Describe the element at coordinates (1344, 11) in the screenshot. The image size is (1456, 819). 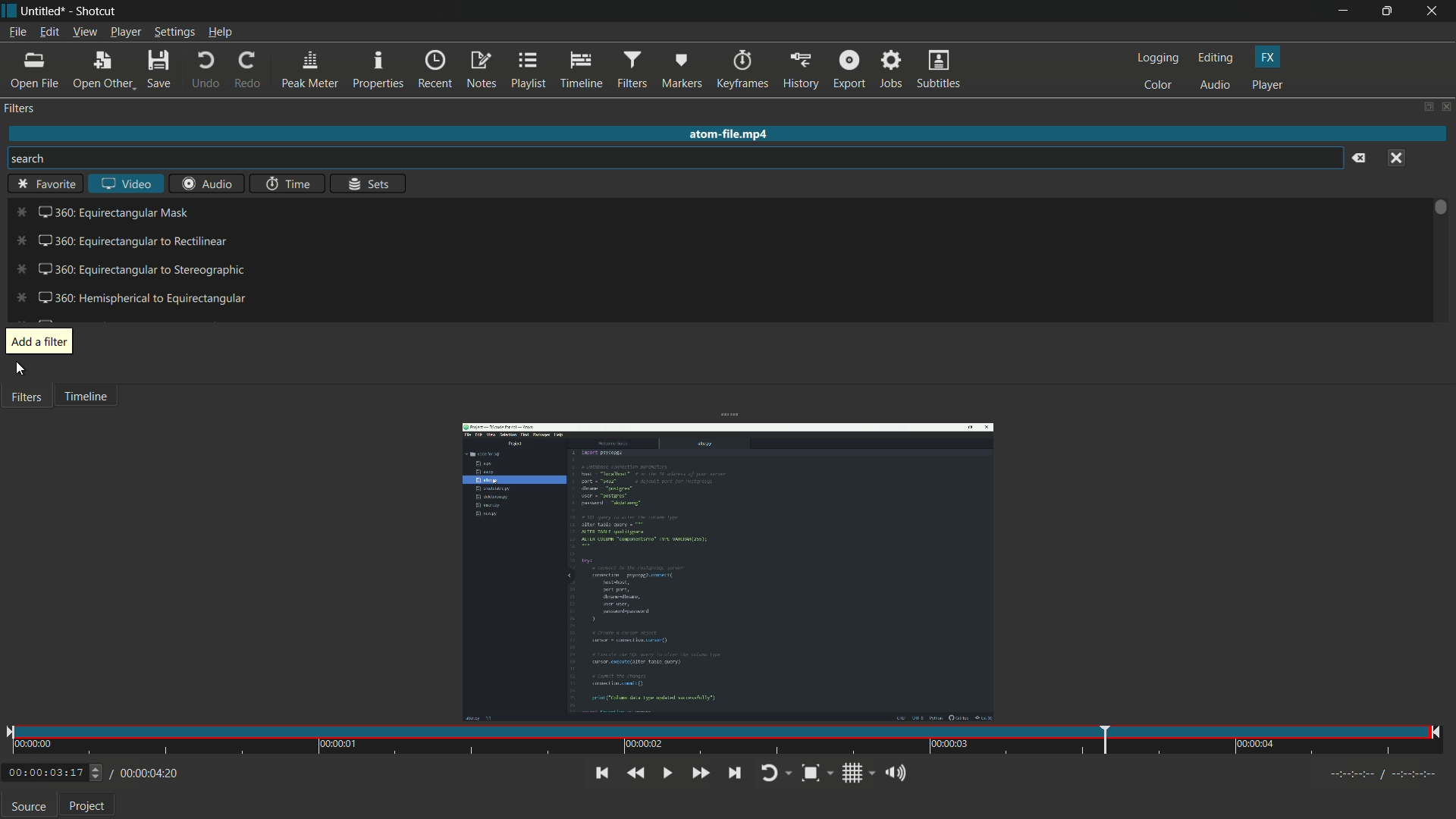
I see `minimize` at that location.